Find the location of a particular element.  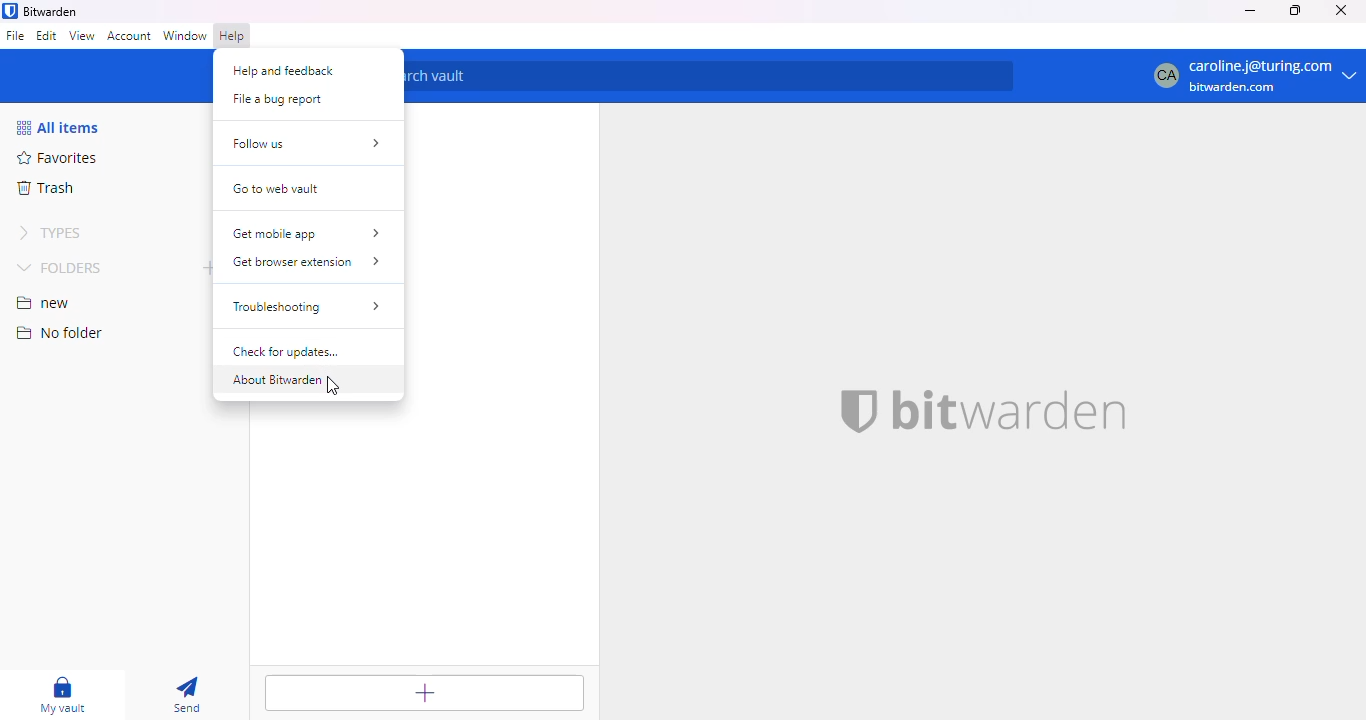

Restore is located at coordinates (1295, 11).